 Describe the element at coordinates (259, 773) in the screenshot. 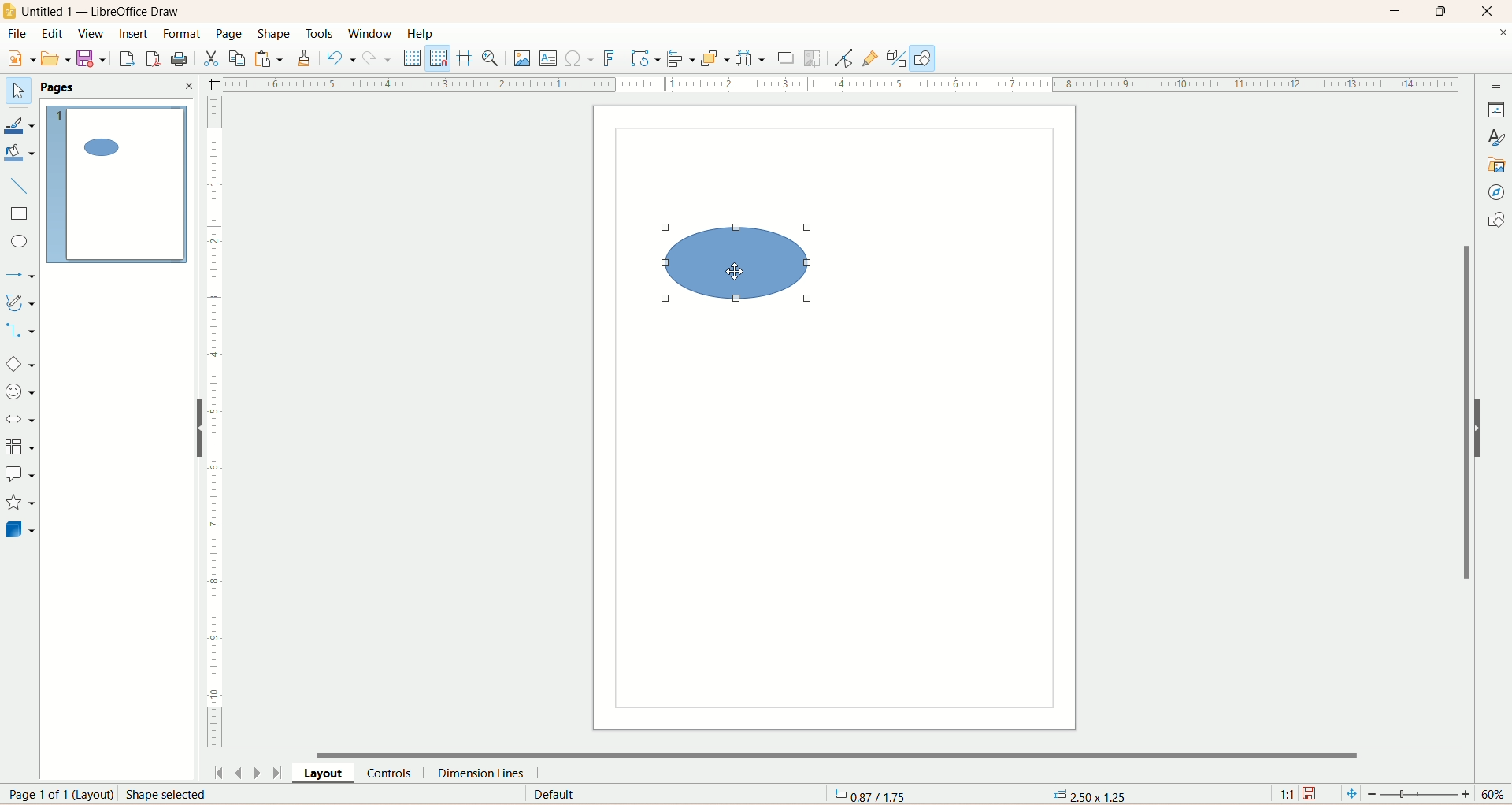

I see `next page` at that location.